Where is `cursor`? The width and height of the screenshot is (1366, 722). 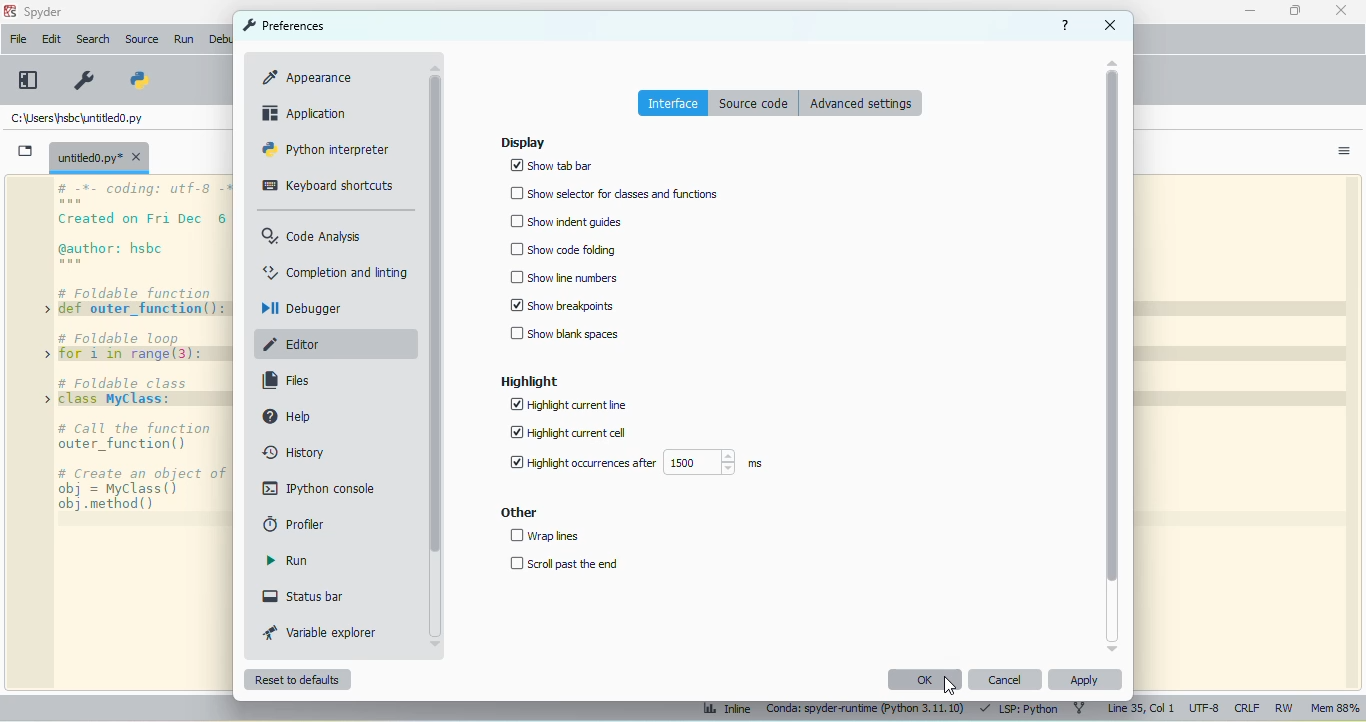 cursor is located at coordinates (949, 685).